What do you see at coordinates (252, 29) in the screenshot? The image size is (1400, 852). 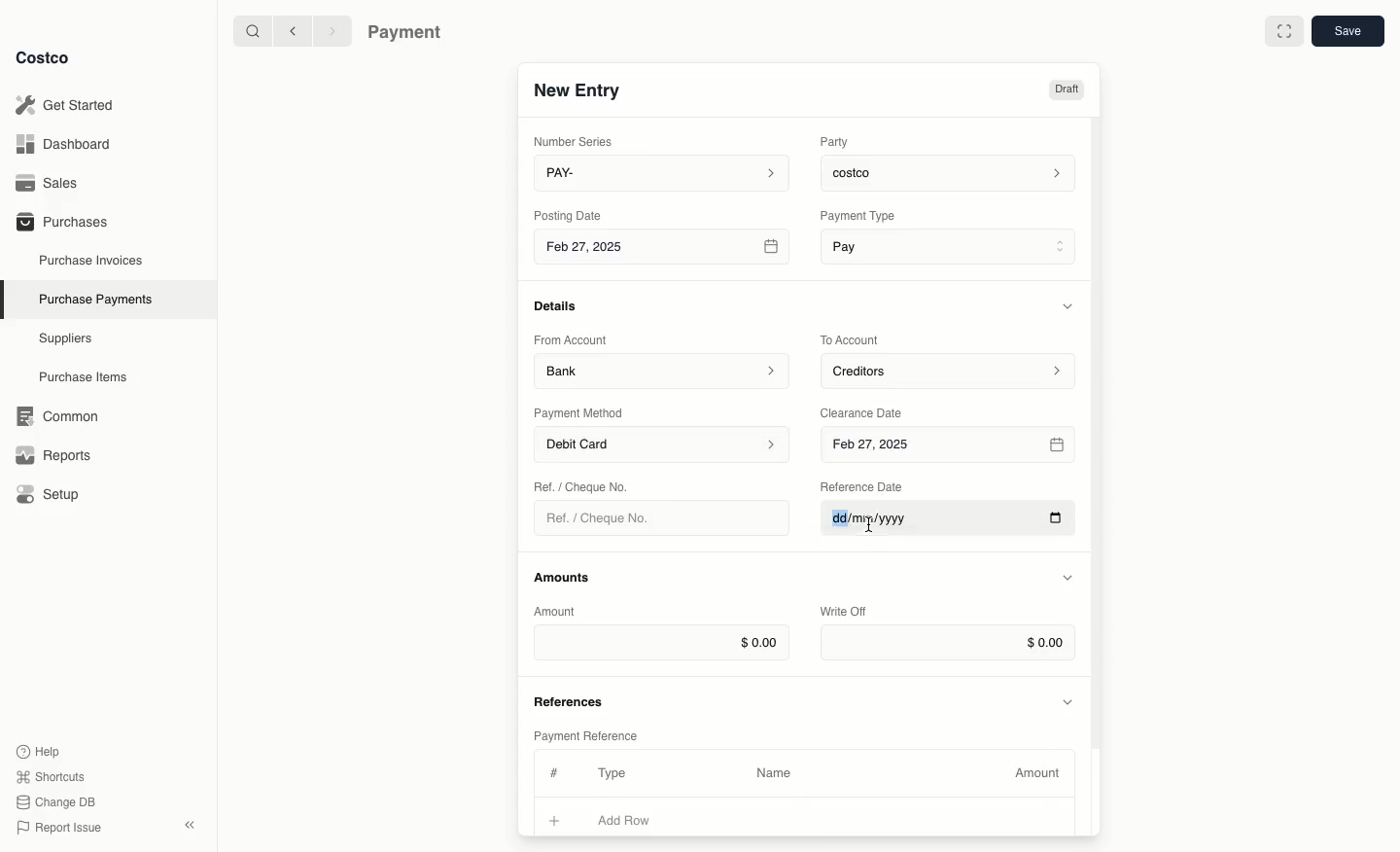 I see `Search` at bounding box center [252, 29].